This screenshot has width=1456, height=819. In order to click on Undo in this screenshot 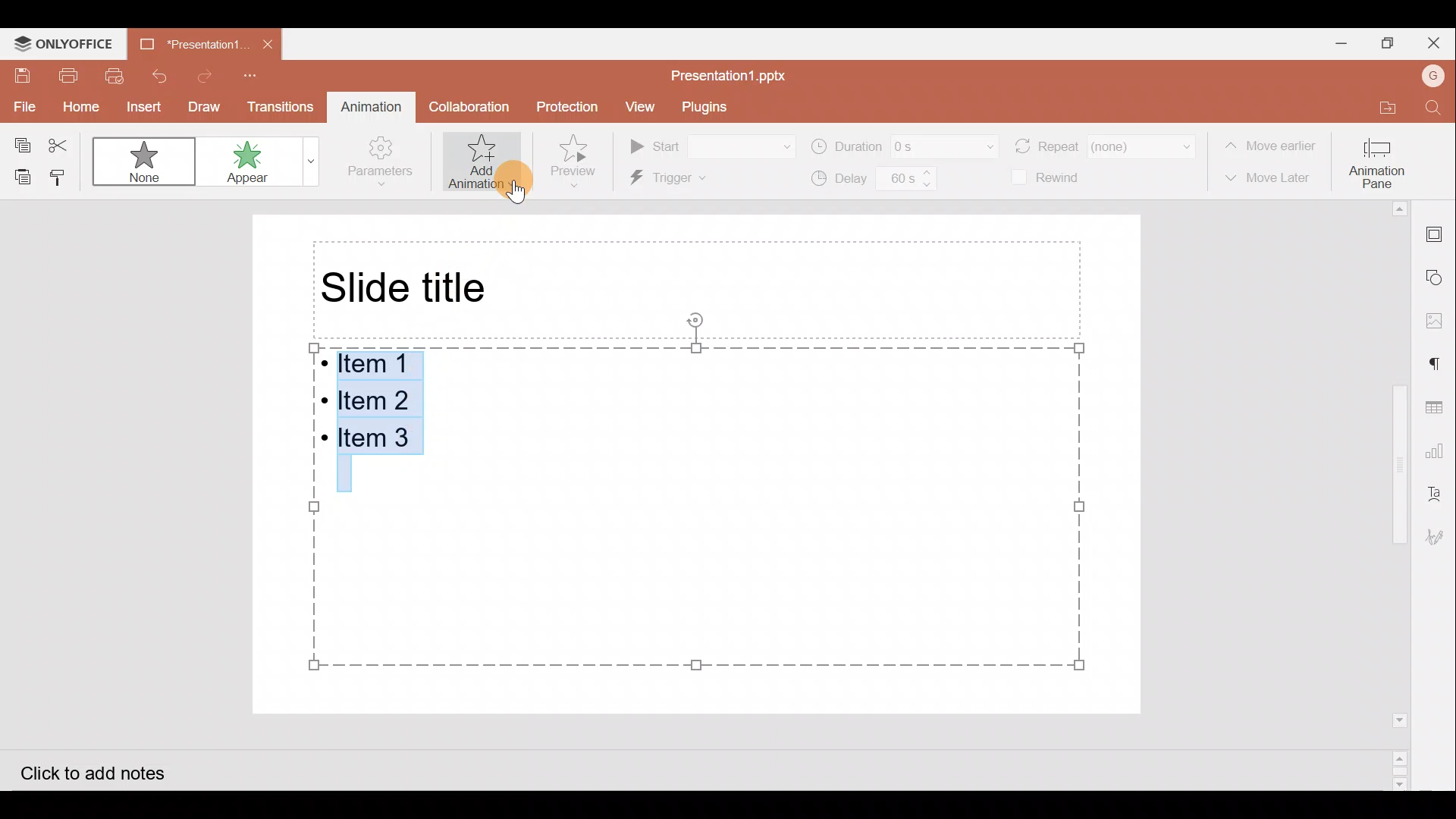, I will do `click(159, 73)`.